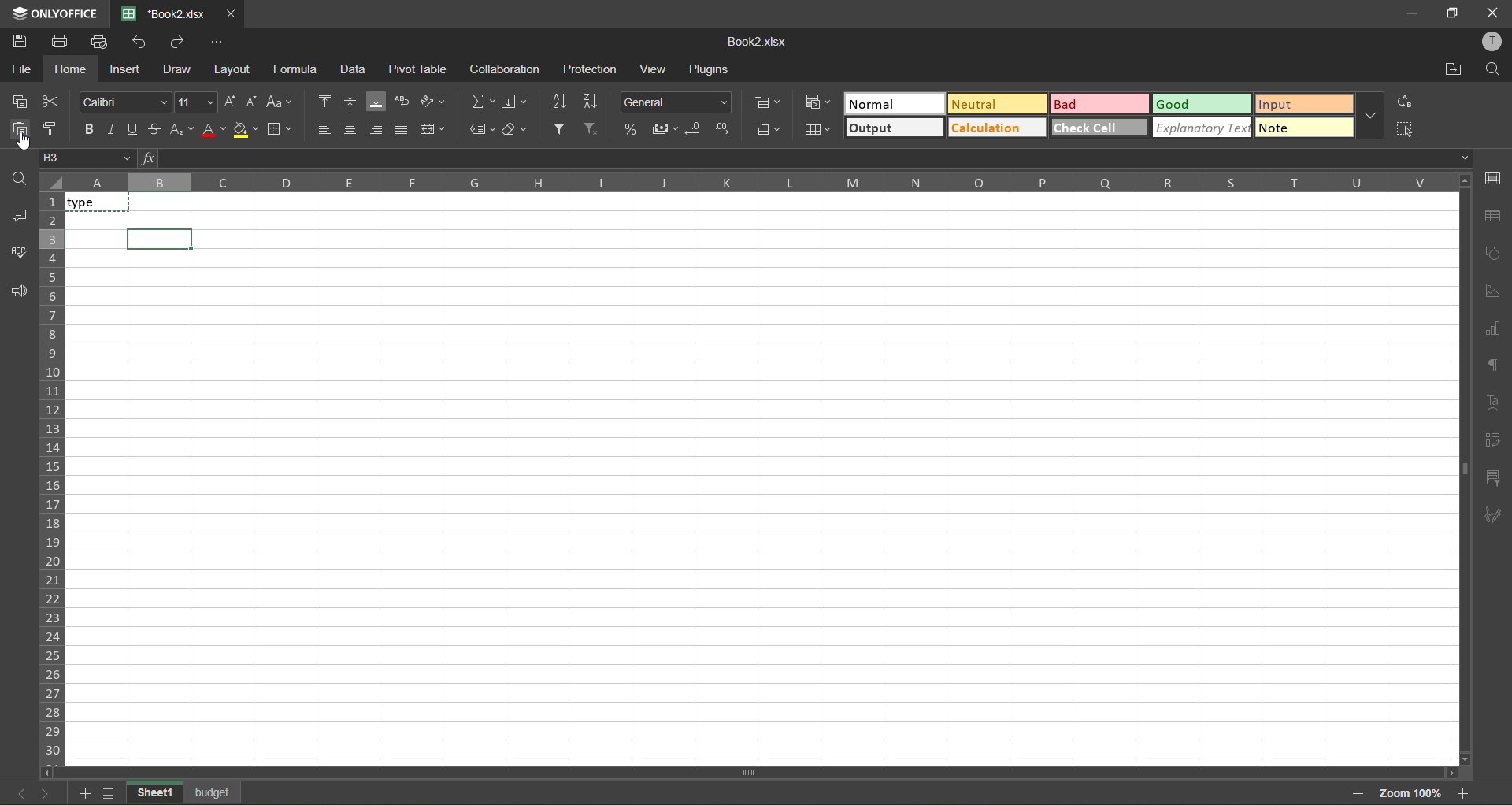 The image size is (1512, 805). What do you see at coordinates (770, 131) in the screenshot?
I see `delete cells` at bounding box center [770, 131].